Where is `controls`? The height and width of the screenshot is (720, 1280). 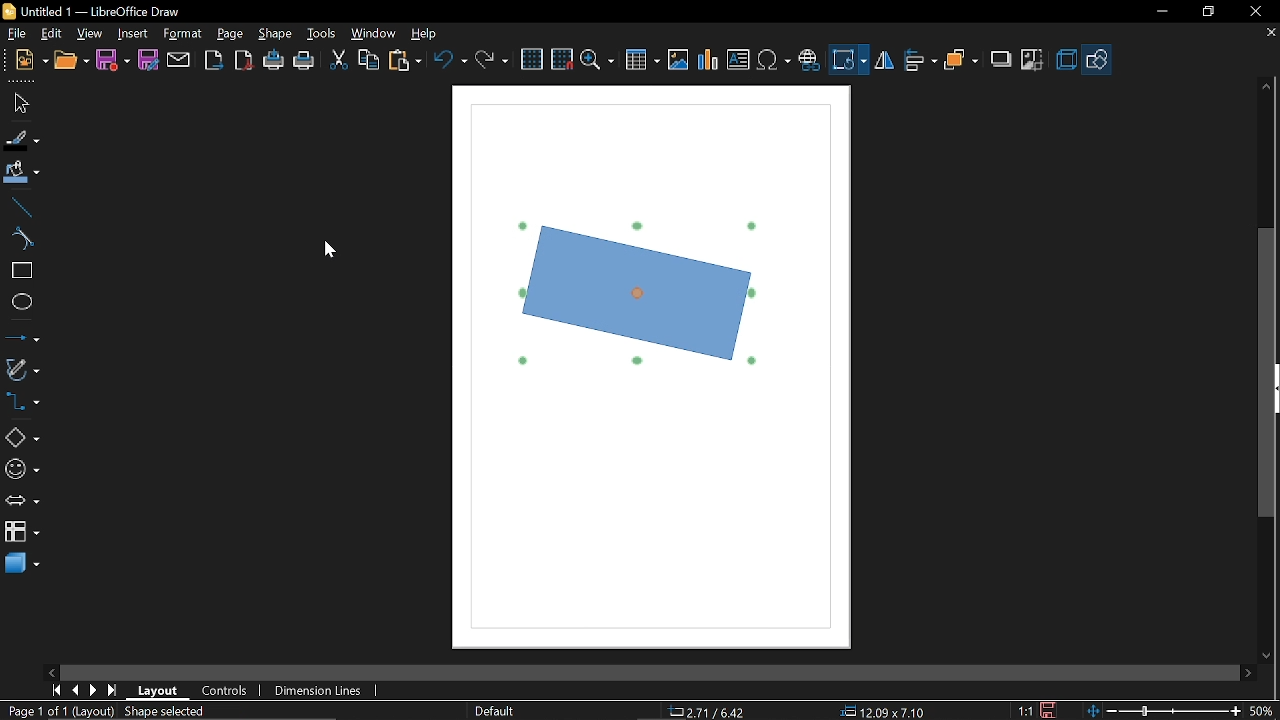
controls is located at coordinates (226, 693).